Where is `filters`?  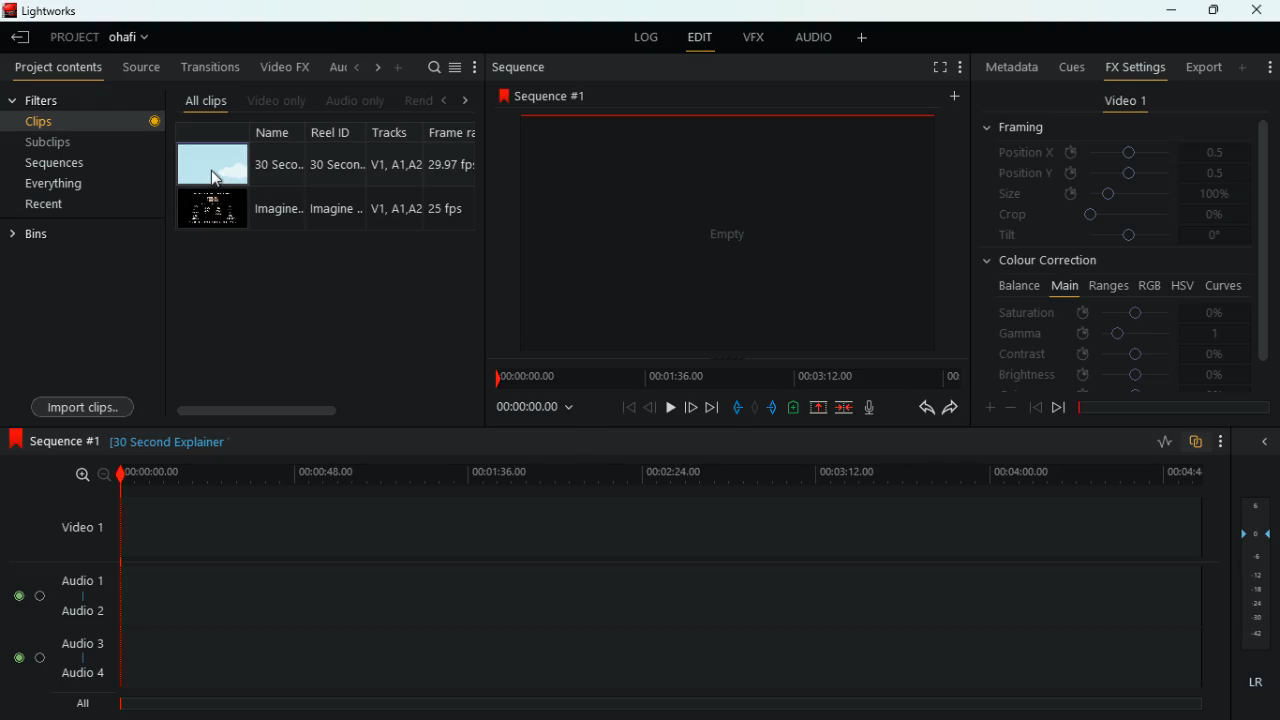 filters is located at coordinates (42, 101).